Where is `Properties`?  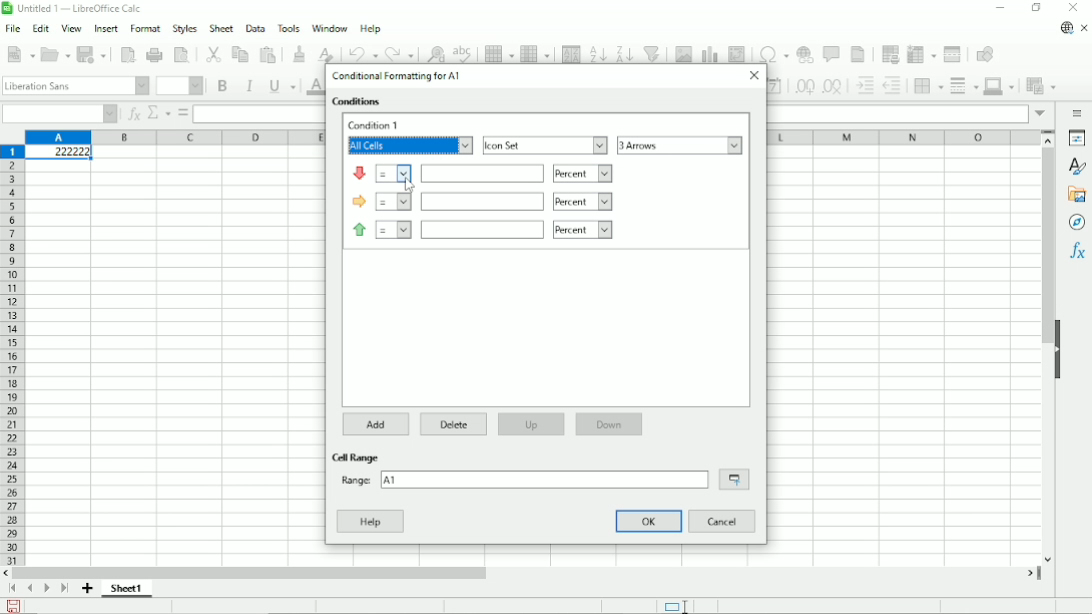 Properties is located at coordinates (1077, 139).